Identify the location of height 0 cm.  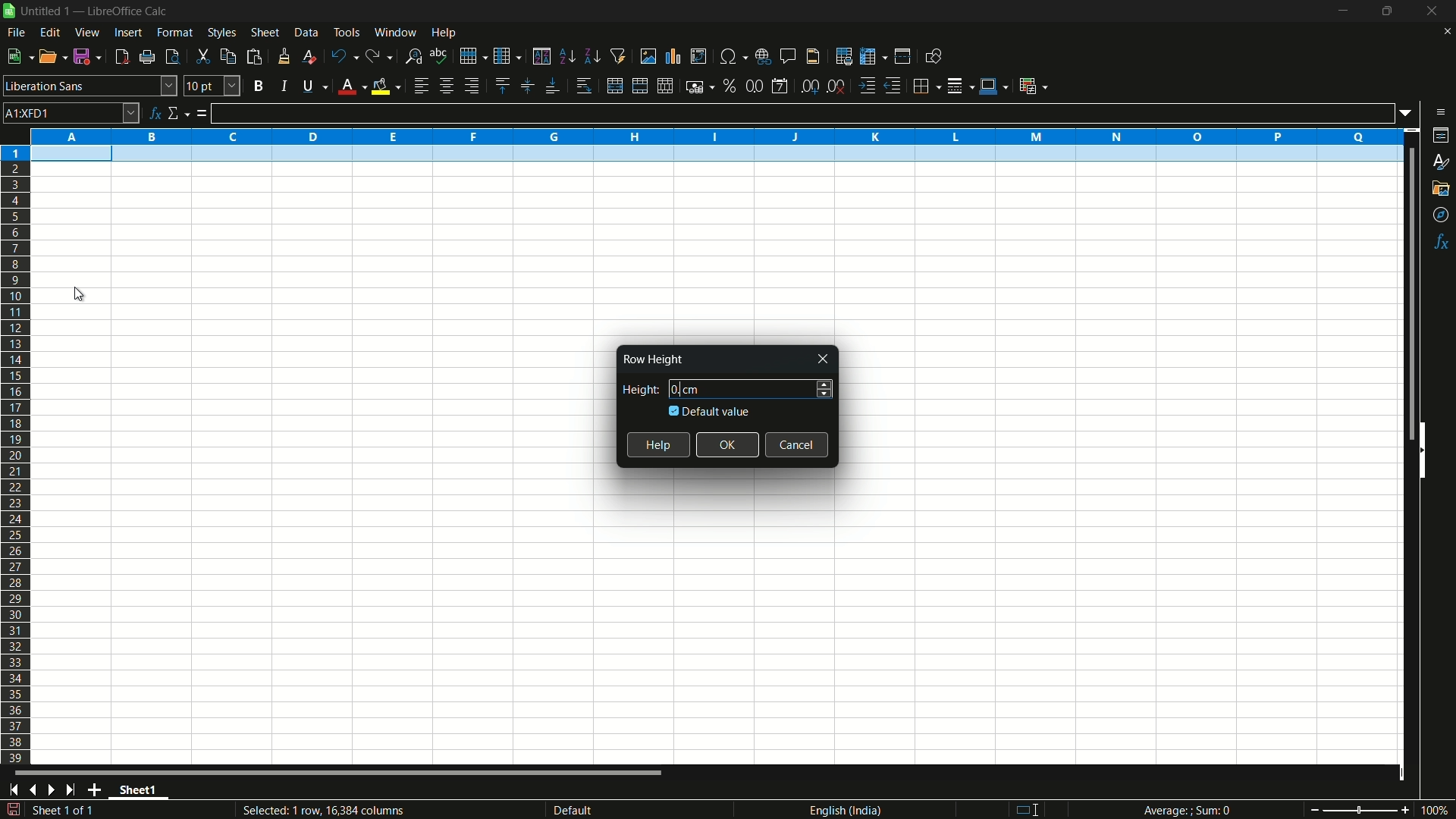
(737, 388).